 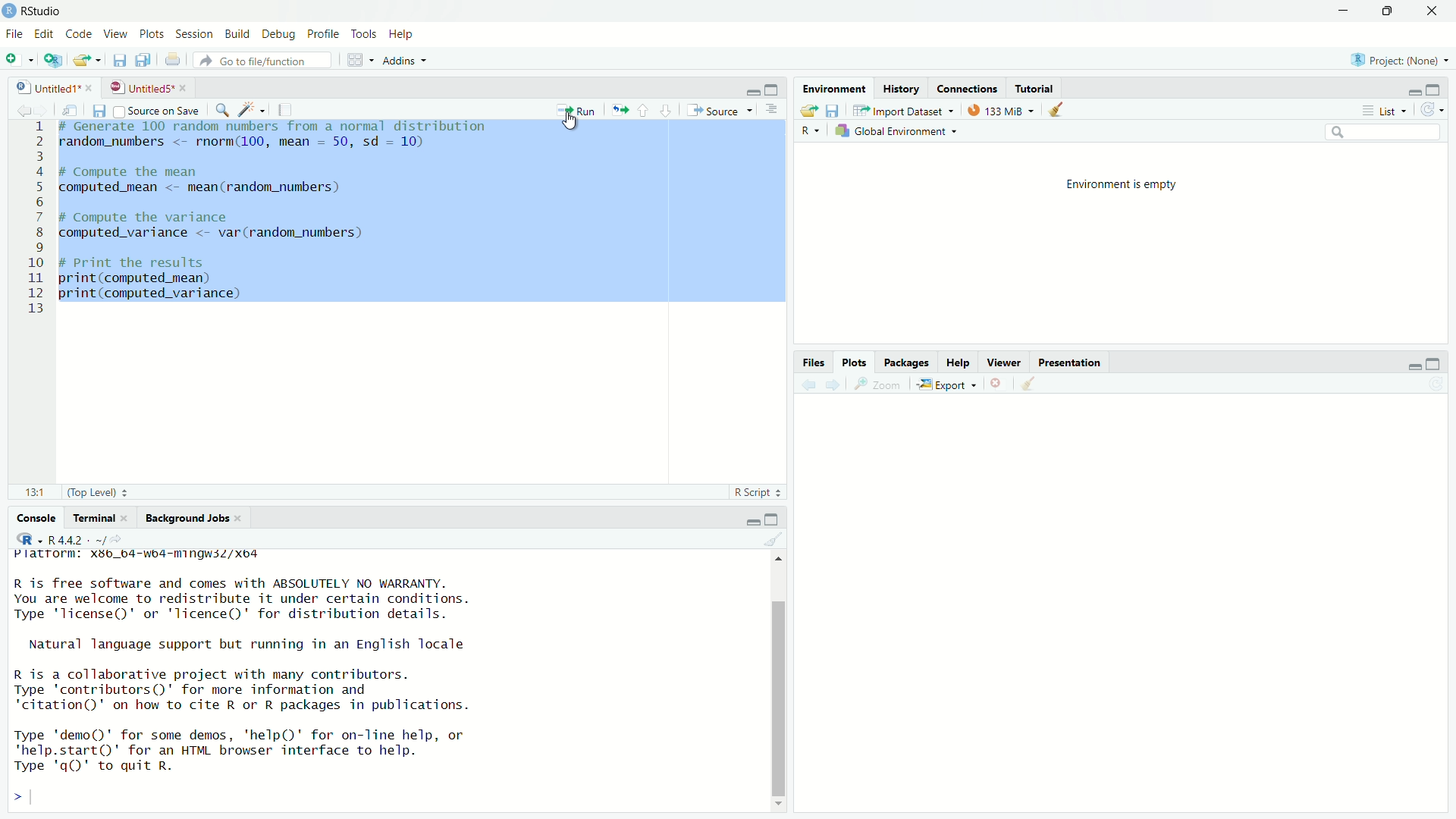 What do you see at coordinates (147, 555) in the screenshot?
I see `Platrorm: Xx36_64-wb4-mingws3Z/Xo4` at bounding box center [147, 555].